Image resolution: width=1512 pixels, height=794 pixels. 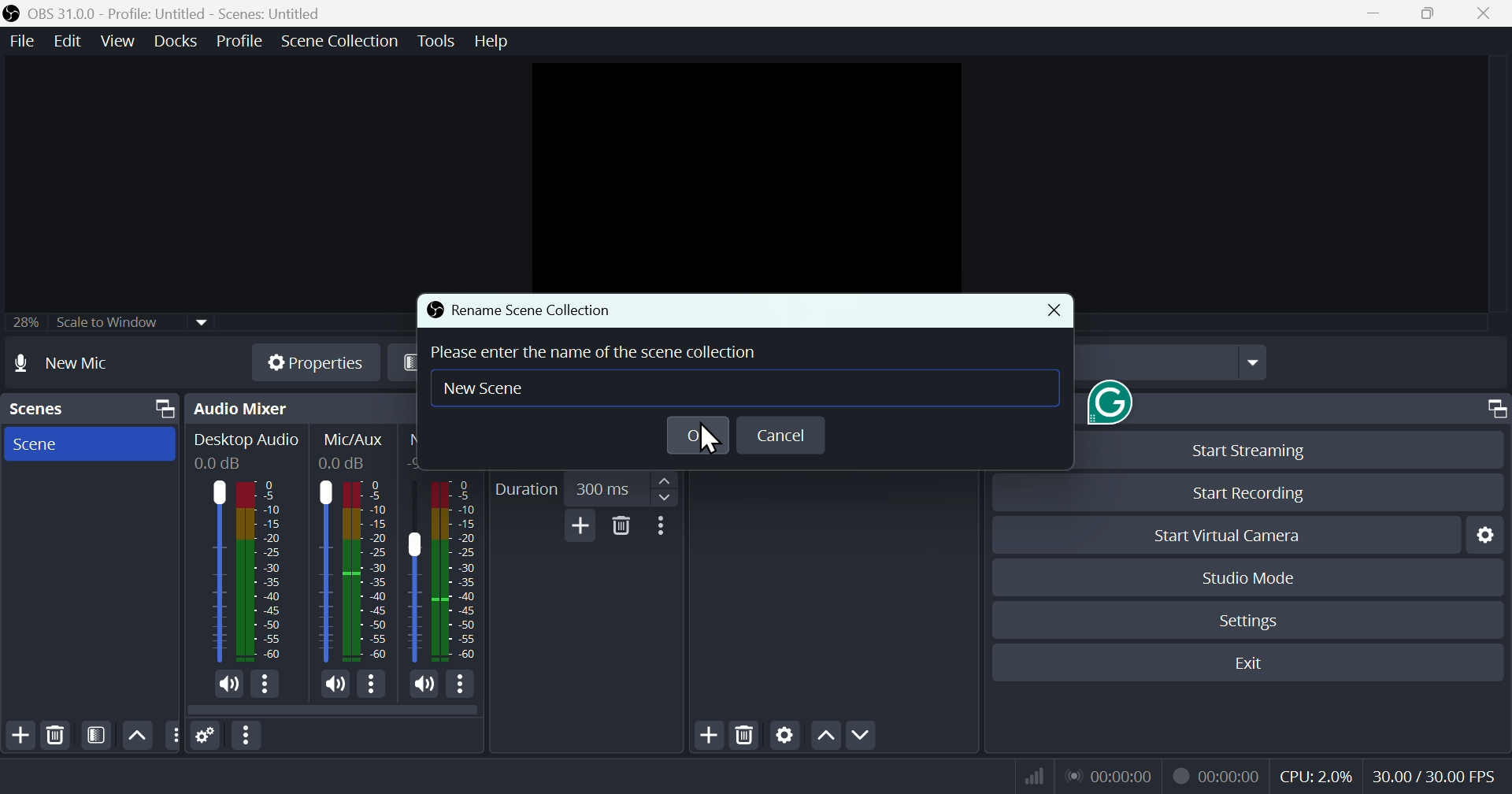 What do you see at coordinates (246, 735) in the screenshot?
I see `More options` at bounding box center [246, 735].